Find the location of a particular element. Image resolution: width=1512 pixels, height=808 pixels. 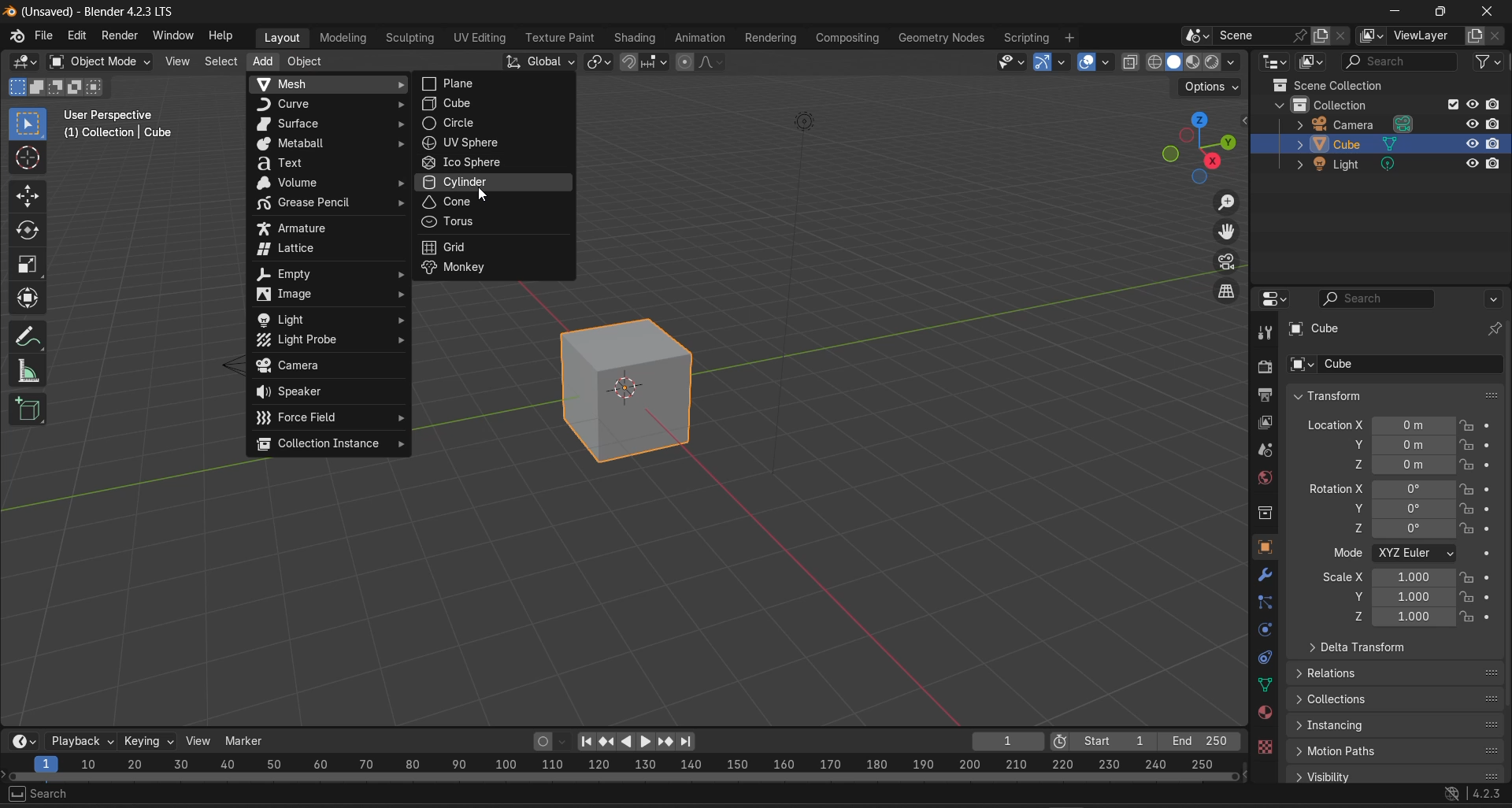

empty is located at coordinates (328, 273).